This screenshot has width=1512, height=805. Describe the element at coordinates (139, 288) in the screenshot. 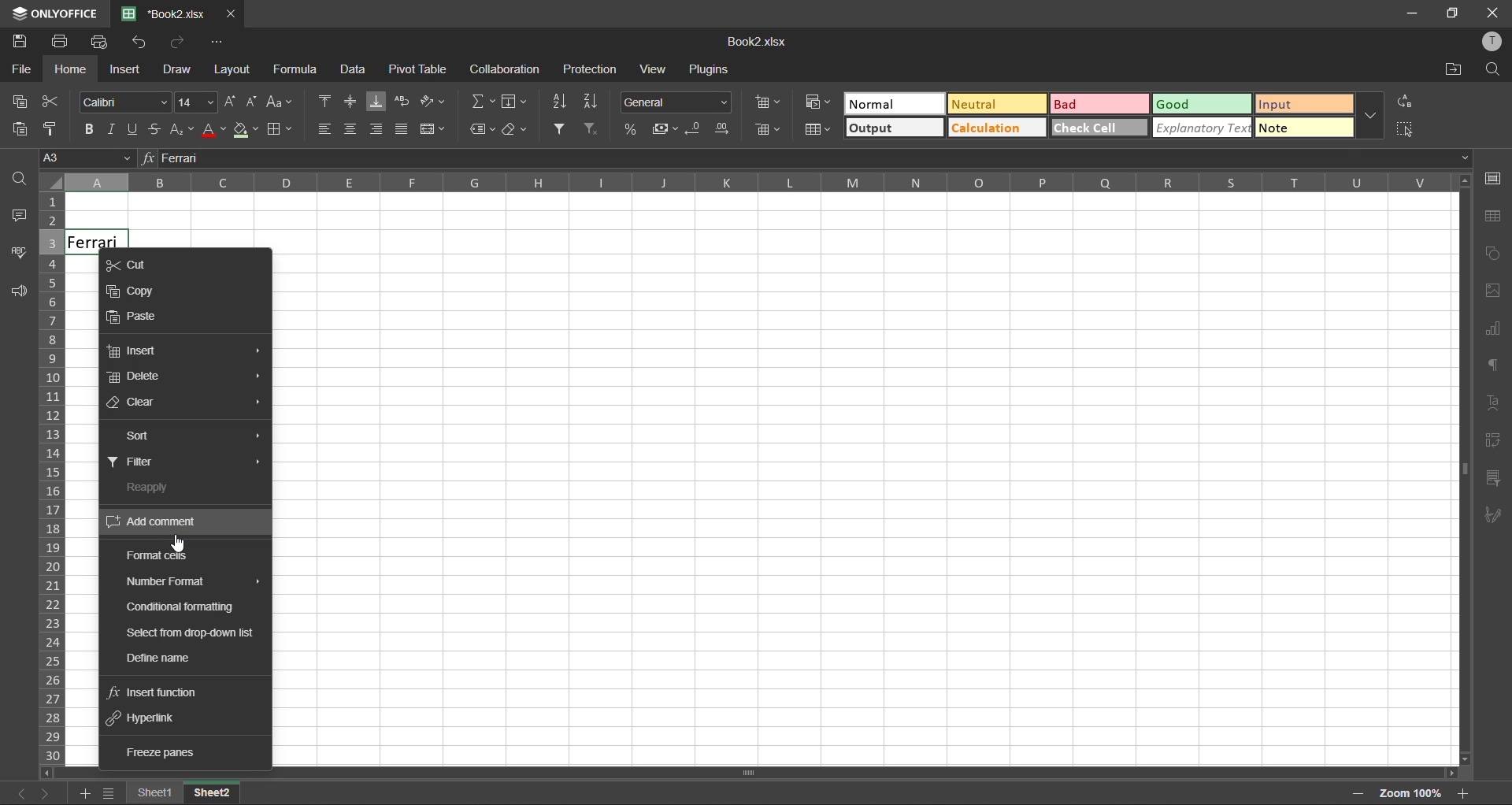

I see `copy` at that location.